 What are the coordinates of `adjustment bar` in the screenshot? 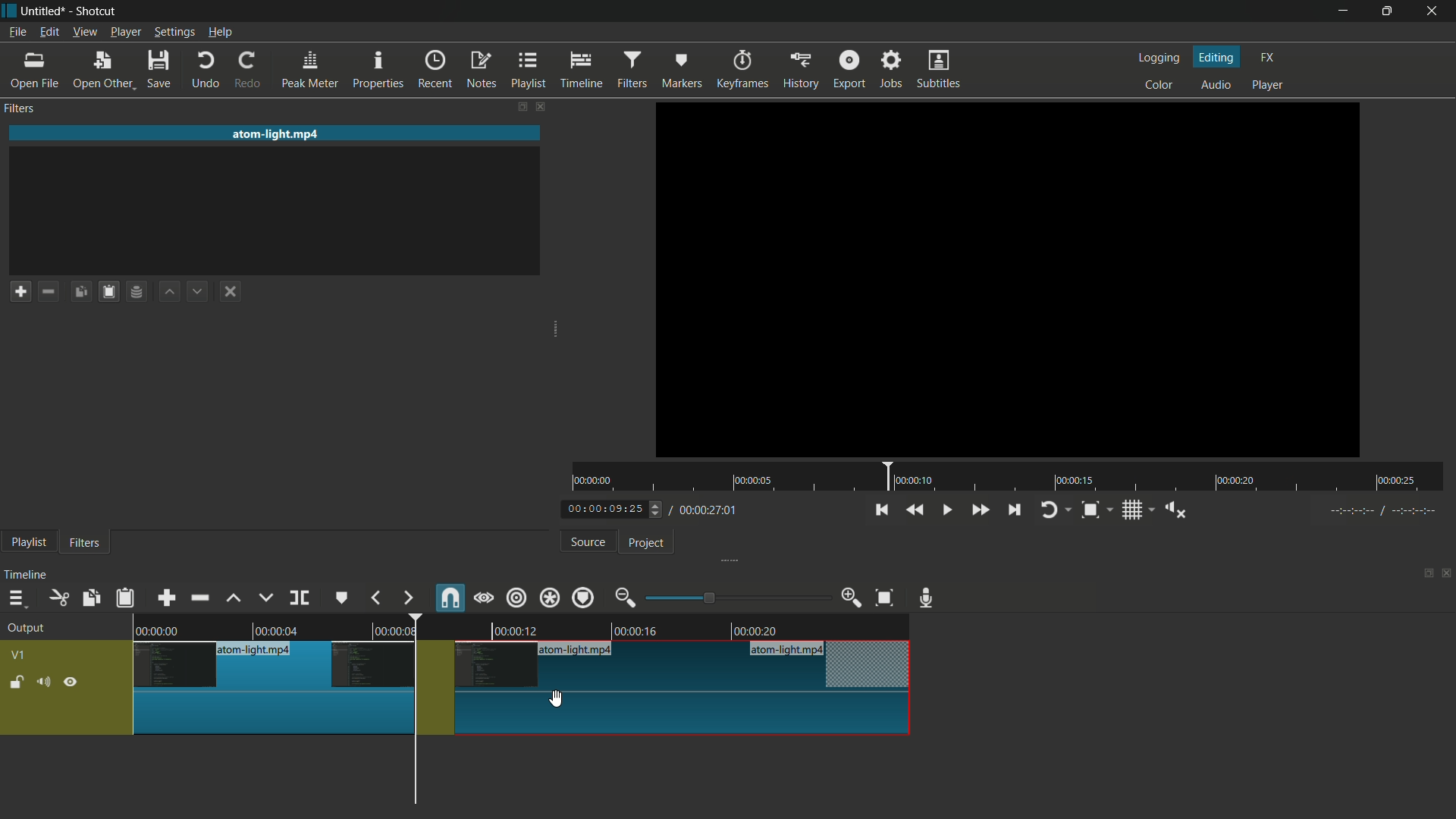 It's located at (736, 598).